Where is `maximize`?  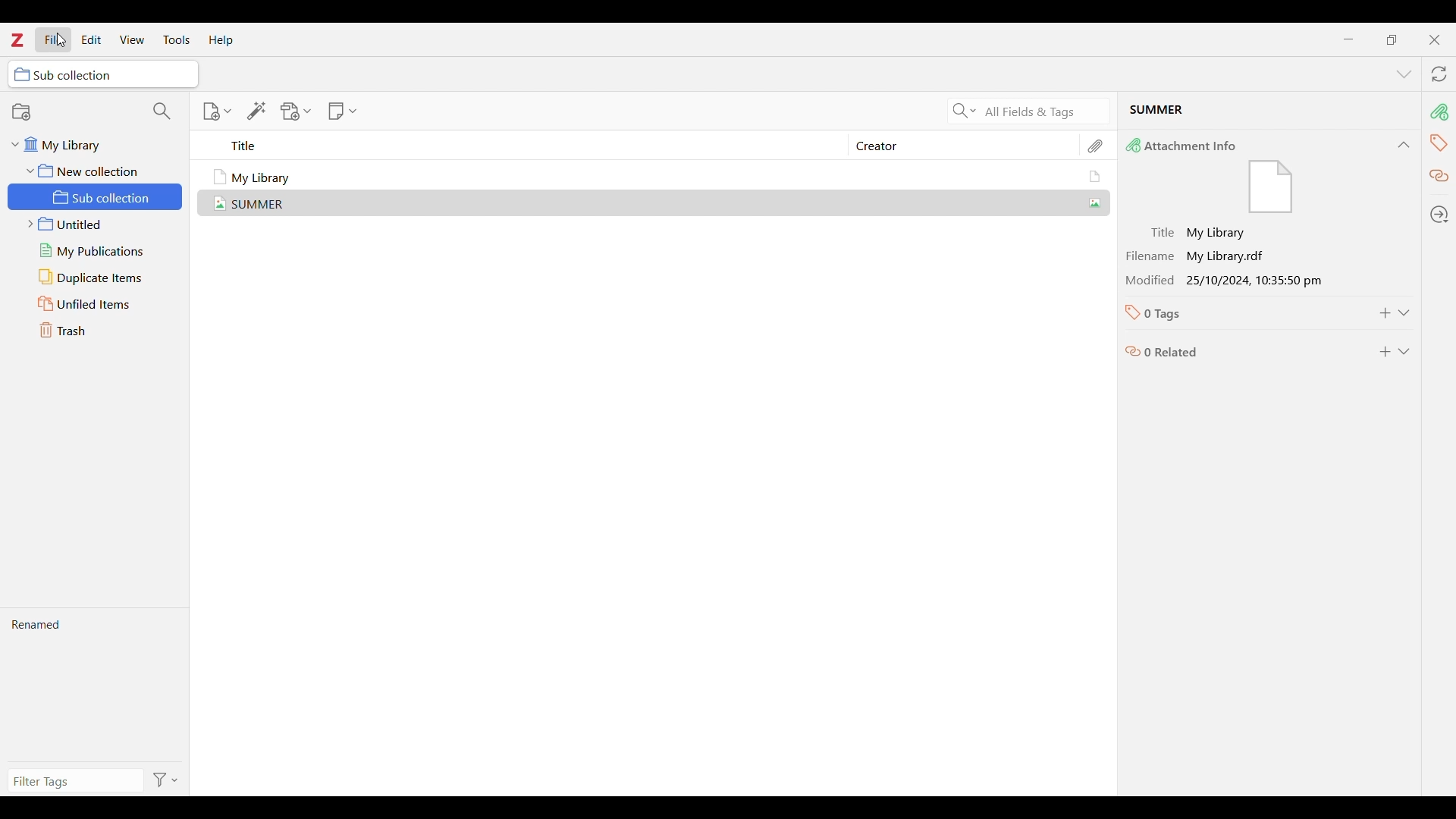
maximize is located at coordinates (1392, 39).